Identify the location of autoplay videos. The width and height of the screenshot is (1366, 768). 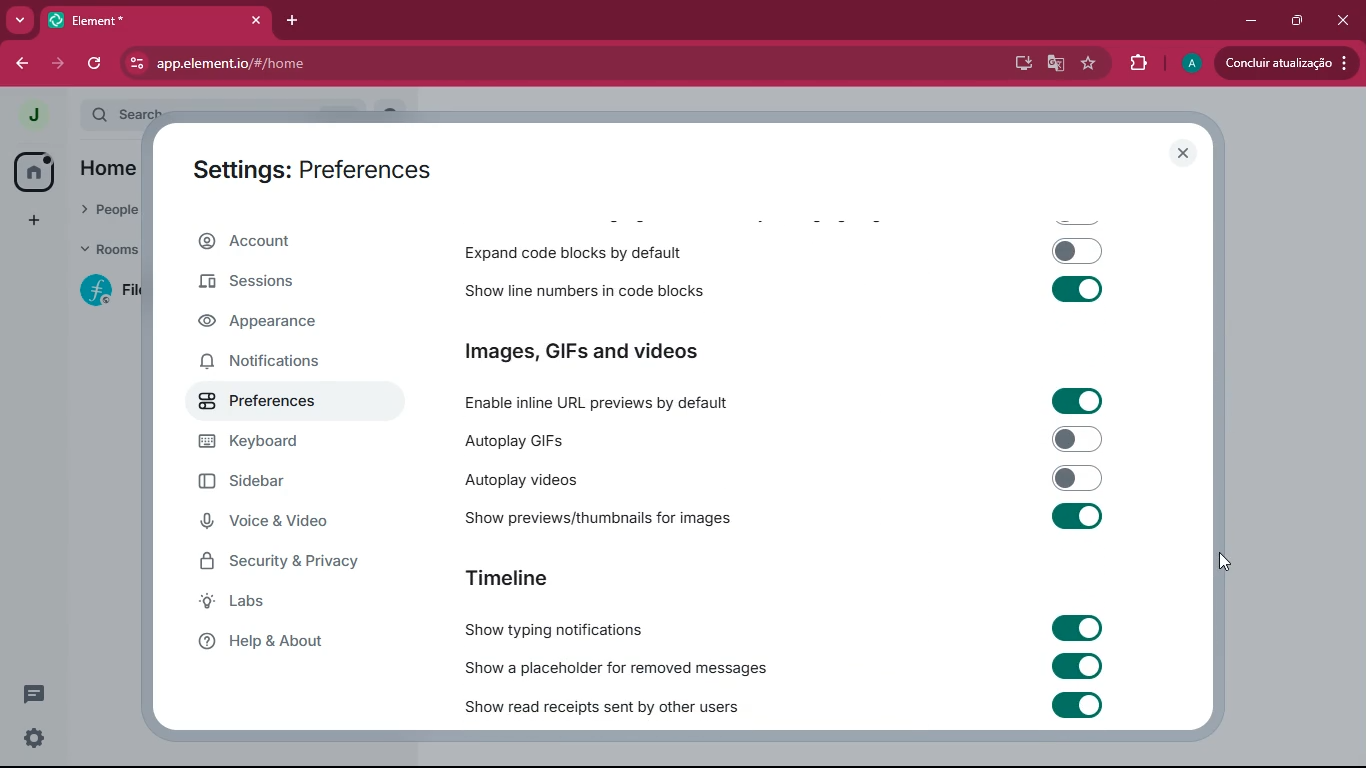
(581, 478).